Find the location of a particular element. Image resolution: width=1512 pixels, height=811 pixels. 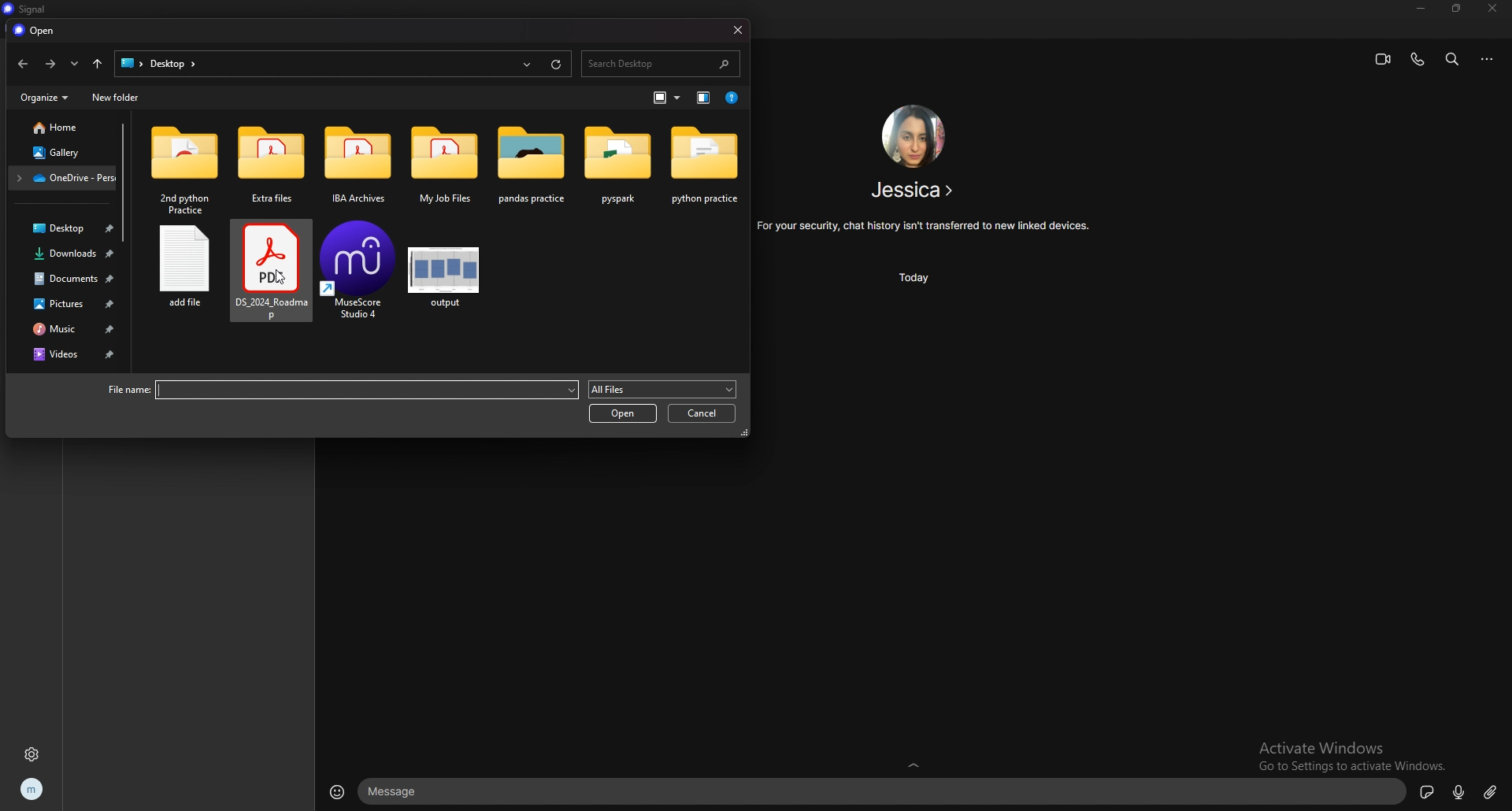

new folder is located at coordinates (116, 97).